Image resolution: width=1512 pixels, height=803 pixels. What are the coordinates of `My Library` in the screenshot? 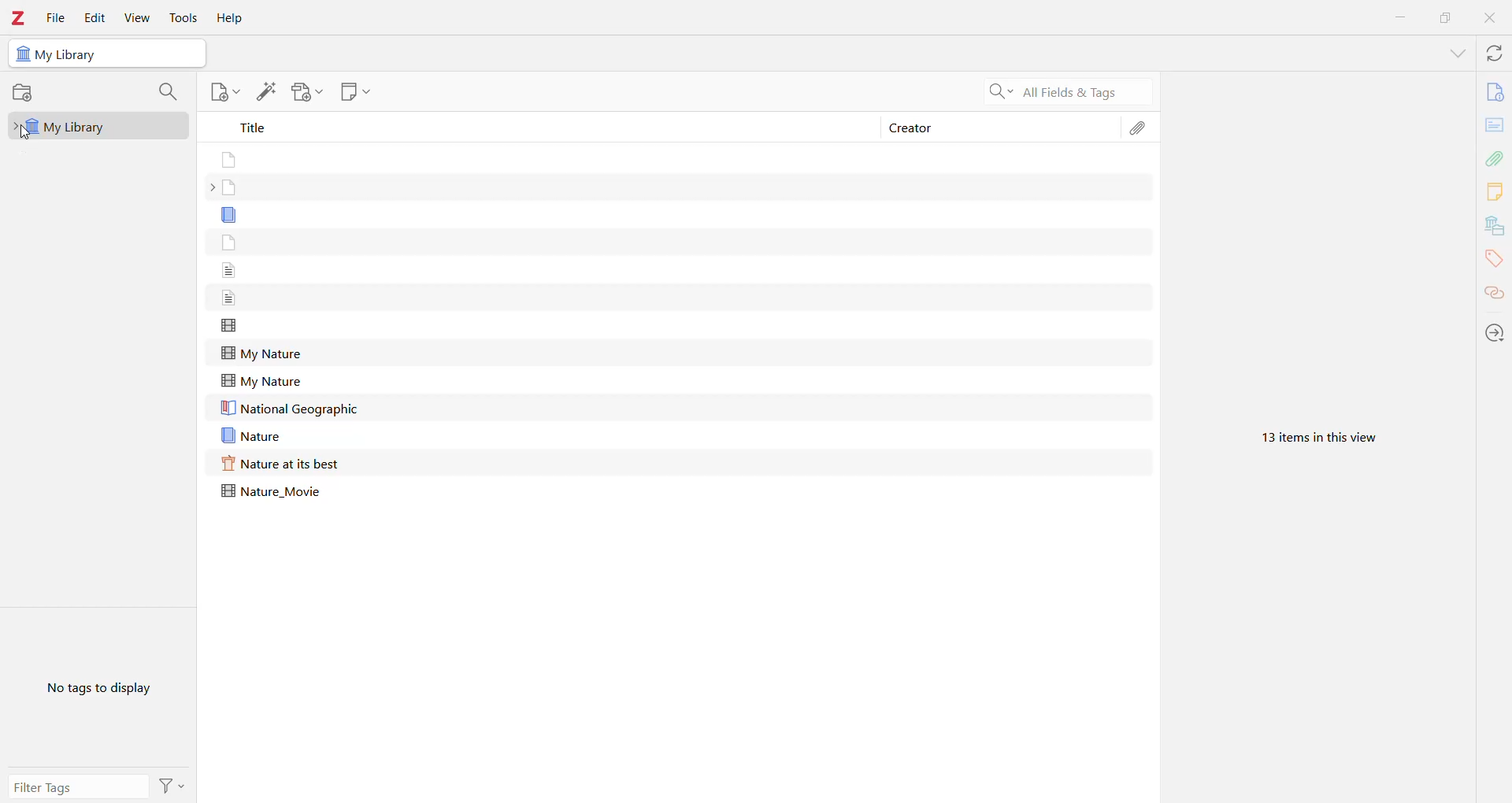 It's located at (72, 57).